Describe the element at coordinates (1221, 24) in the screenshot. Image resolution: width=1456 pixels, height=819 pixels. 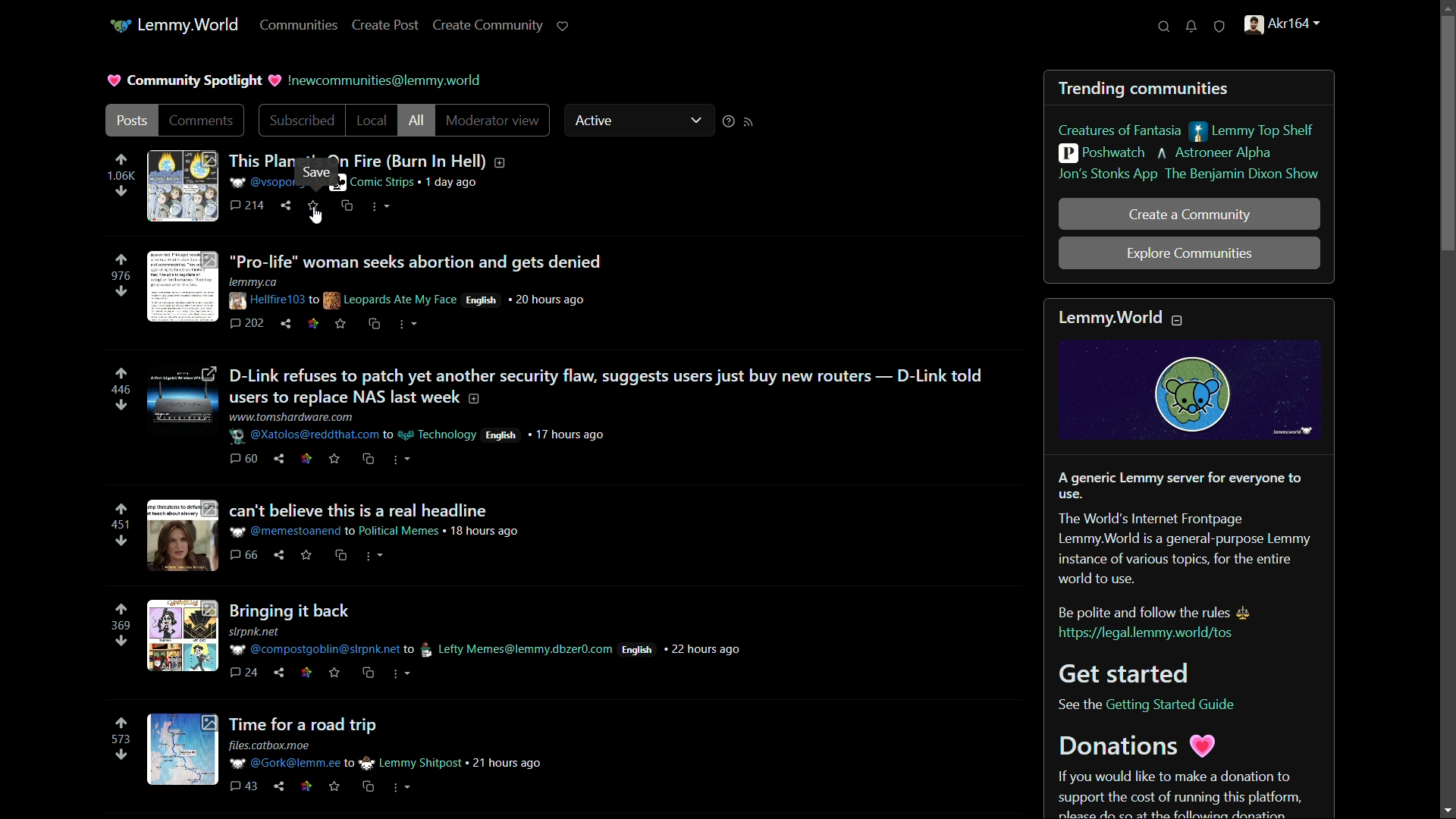
I see `unread reports` at that location.